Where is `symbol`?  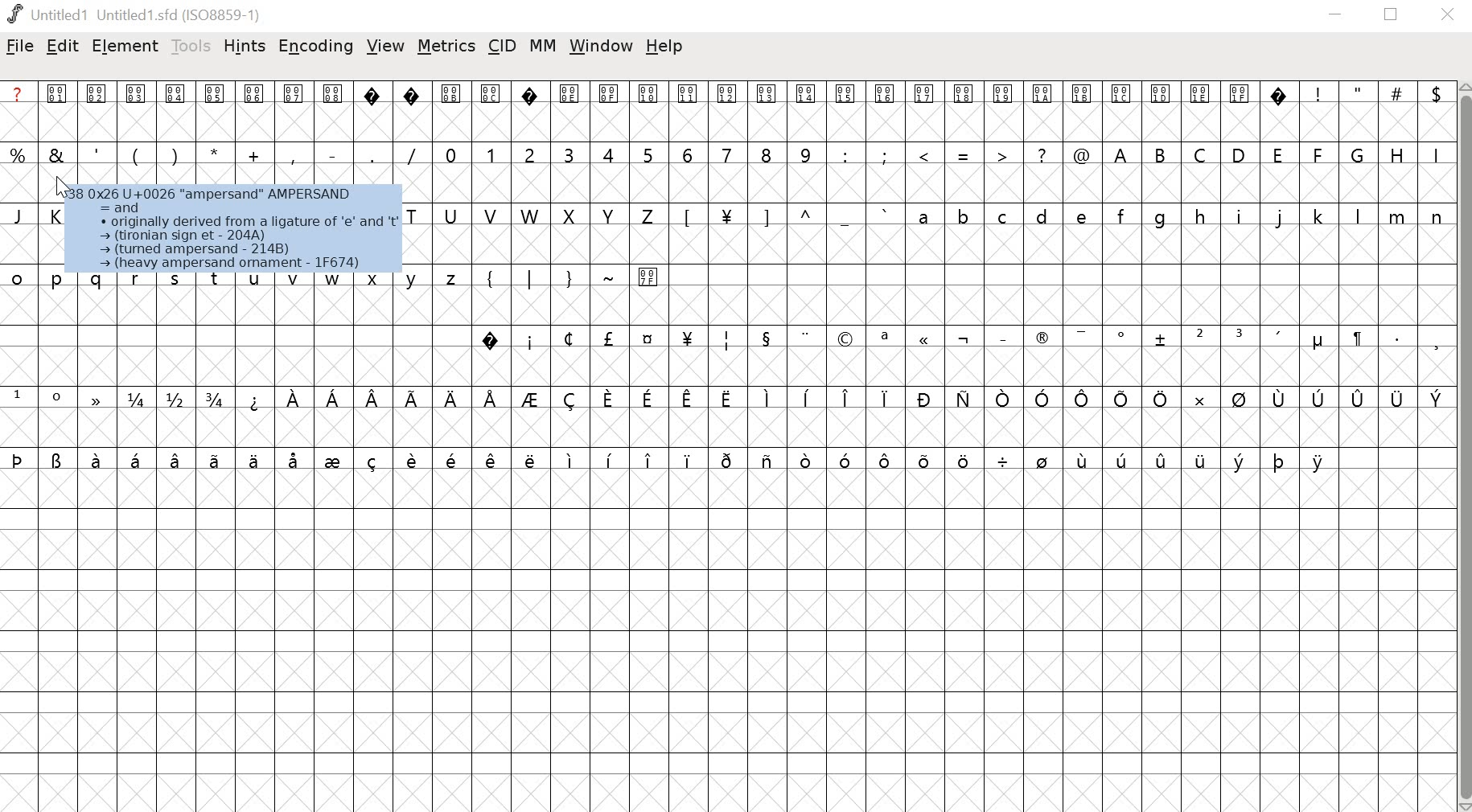 symbol is located at coordinates (845, 396).